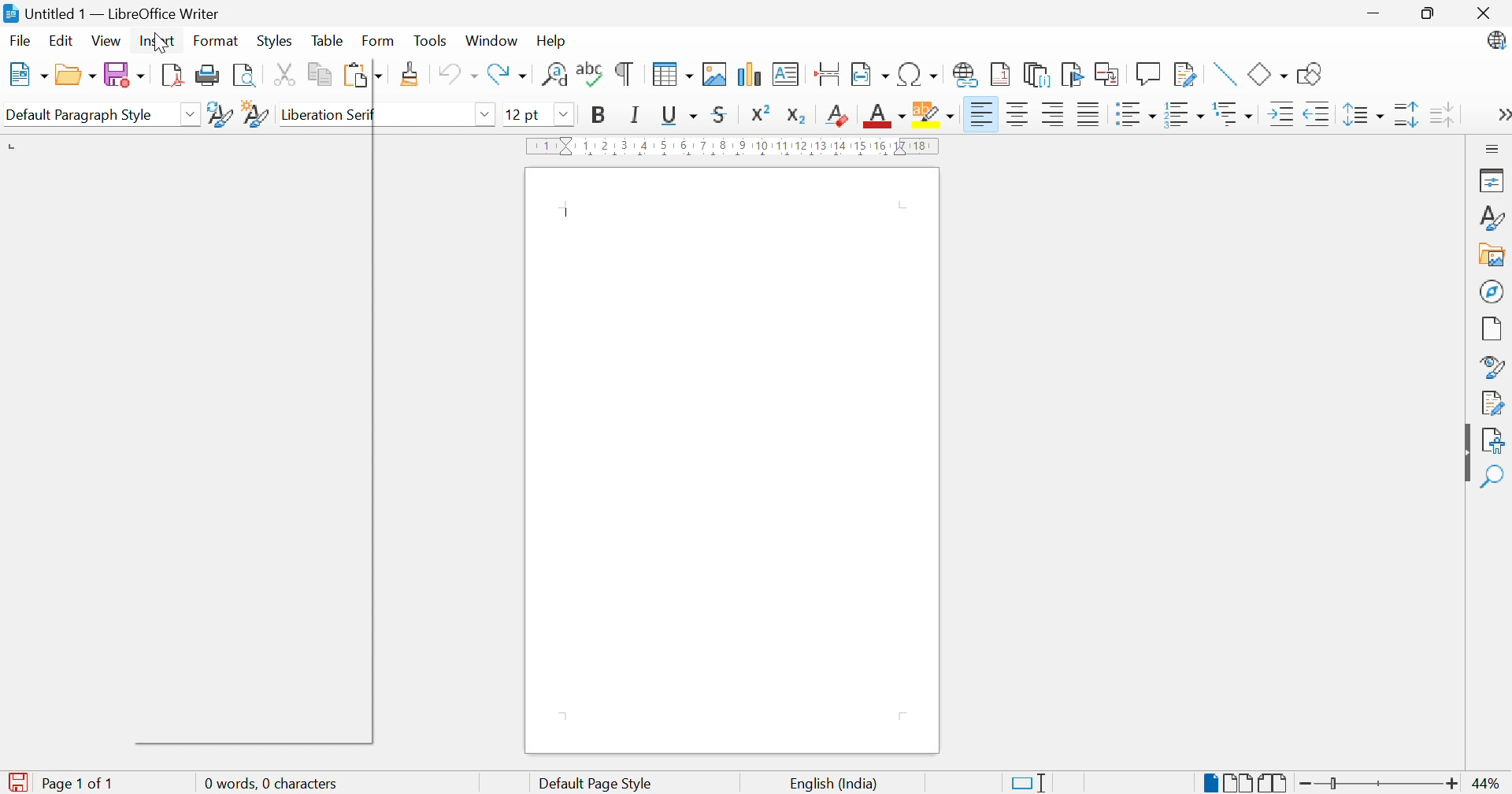  Describe the element at coordinates (321, 73) in the screenshot. I see `Copy` at that location.